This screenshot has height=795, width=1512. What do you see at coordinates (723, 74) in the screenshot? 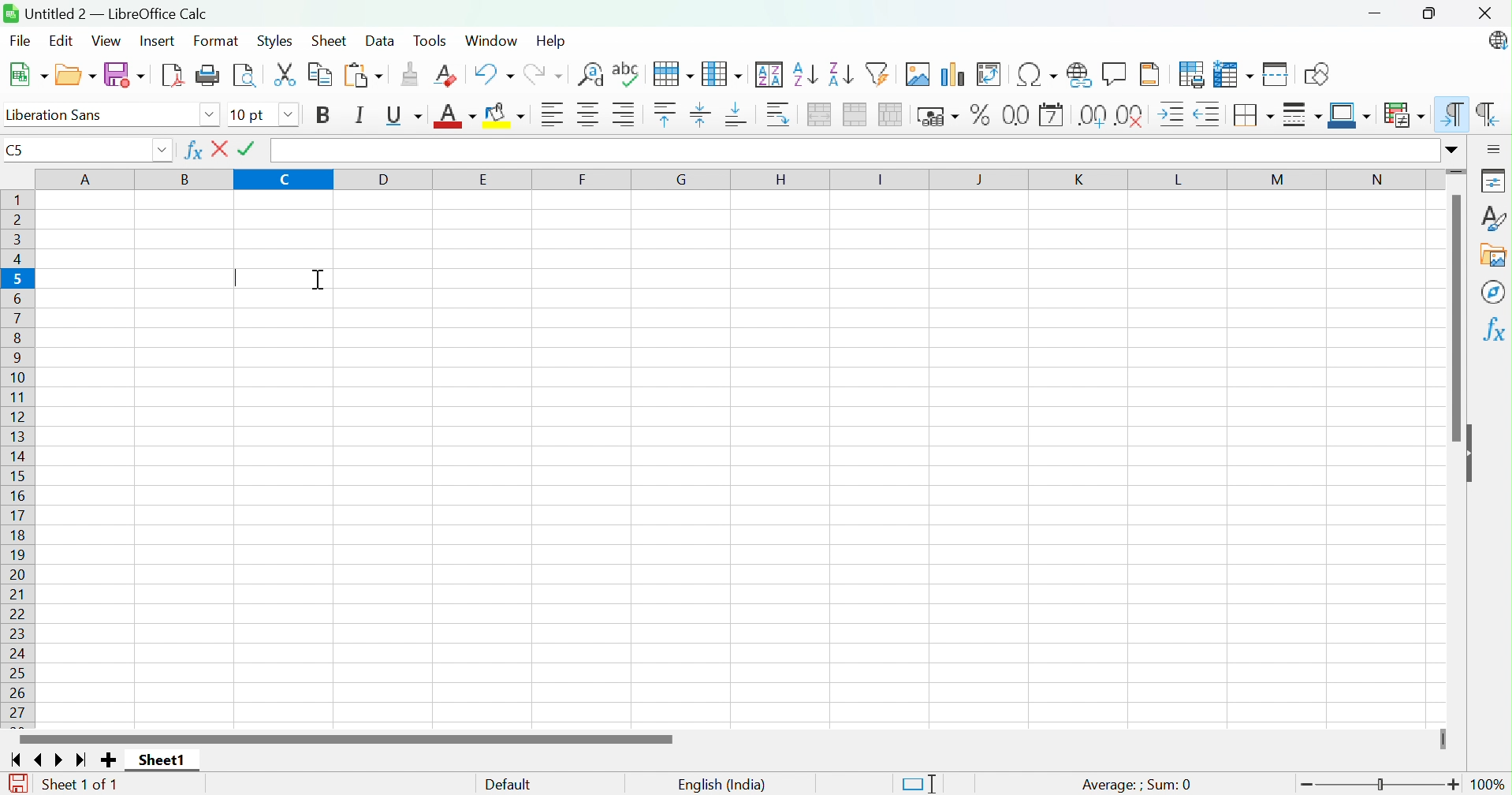
I see `Column` at bounding box center [723, 74].